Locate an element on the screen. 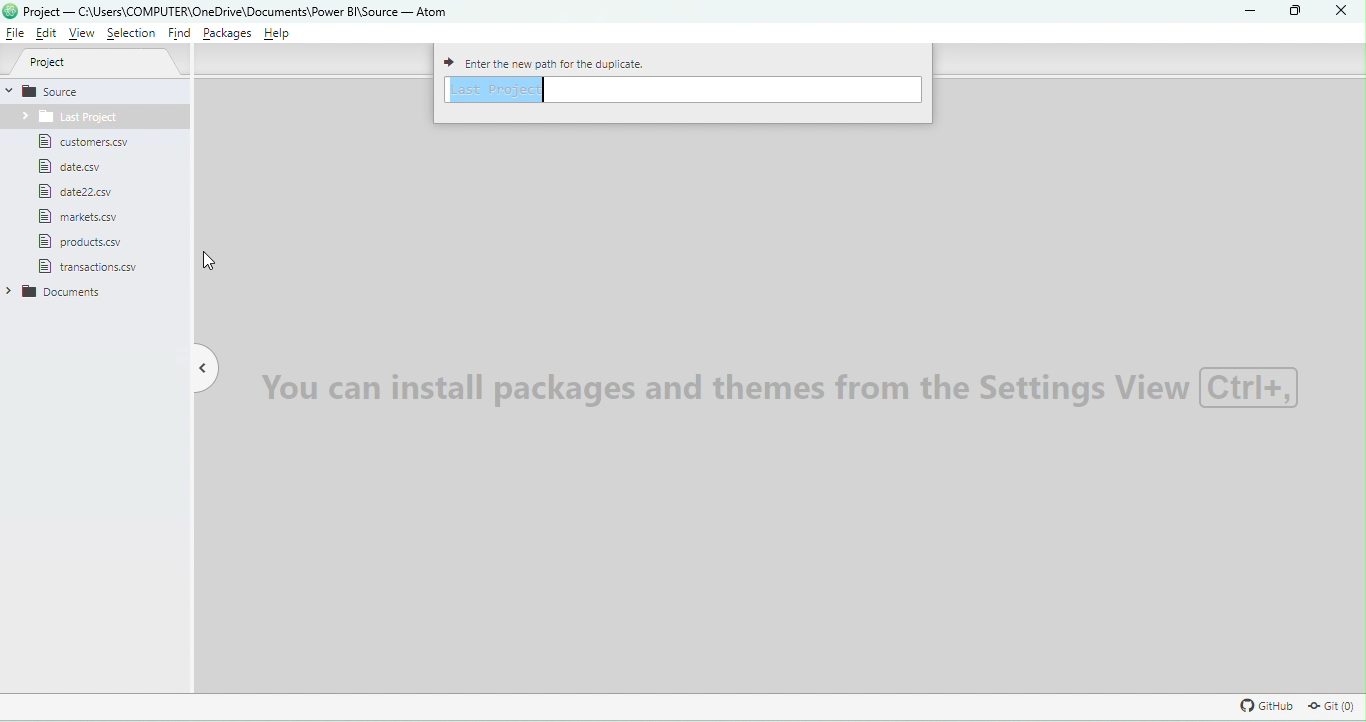  Packages is located at coordinates (228, 34).